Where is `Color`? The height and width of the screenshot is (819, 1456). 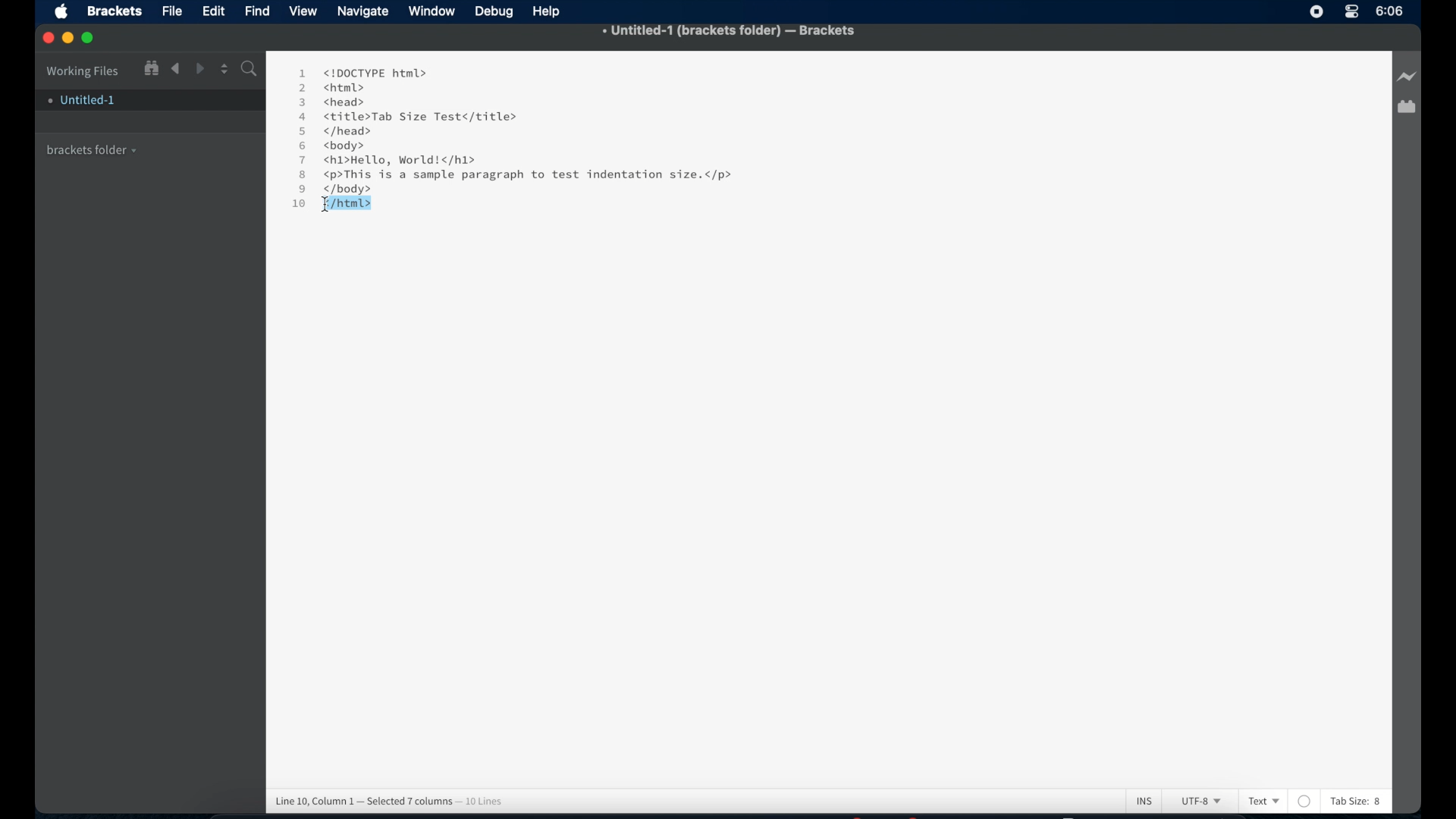
Color is located at coordinates (1305, 801).